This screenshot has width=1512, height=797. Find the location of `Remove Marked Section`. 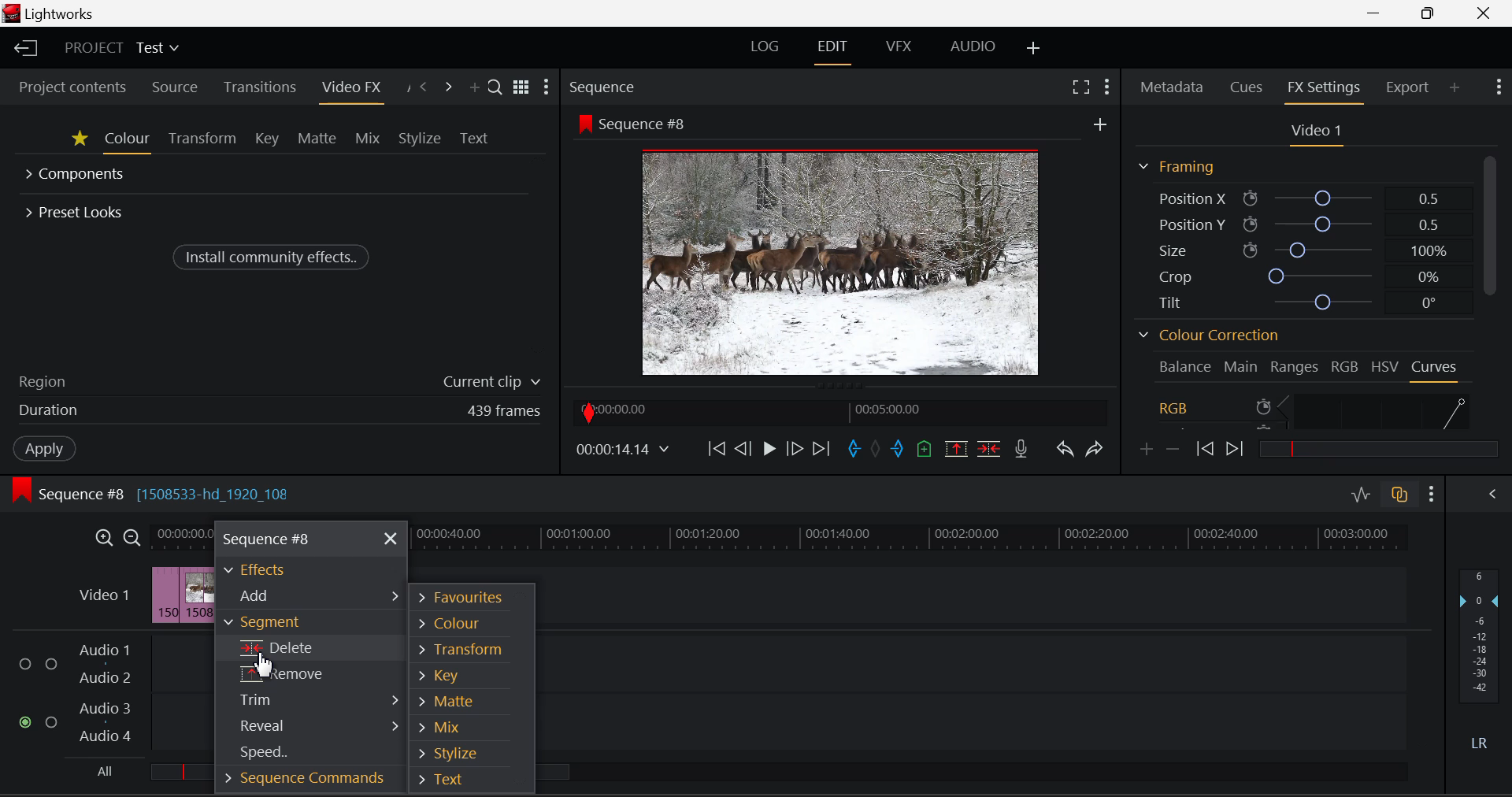

Remove Marked Section is located at coordinates (958, 448).